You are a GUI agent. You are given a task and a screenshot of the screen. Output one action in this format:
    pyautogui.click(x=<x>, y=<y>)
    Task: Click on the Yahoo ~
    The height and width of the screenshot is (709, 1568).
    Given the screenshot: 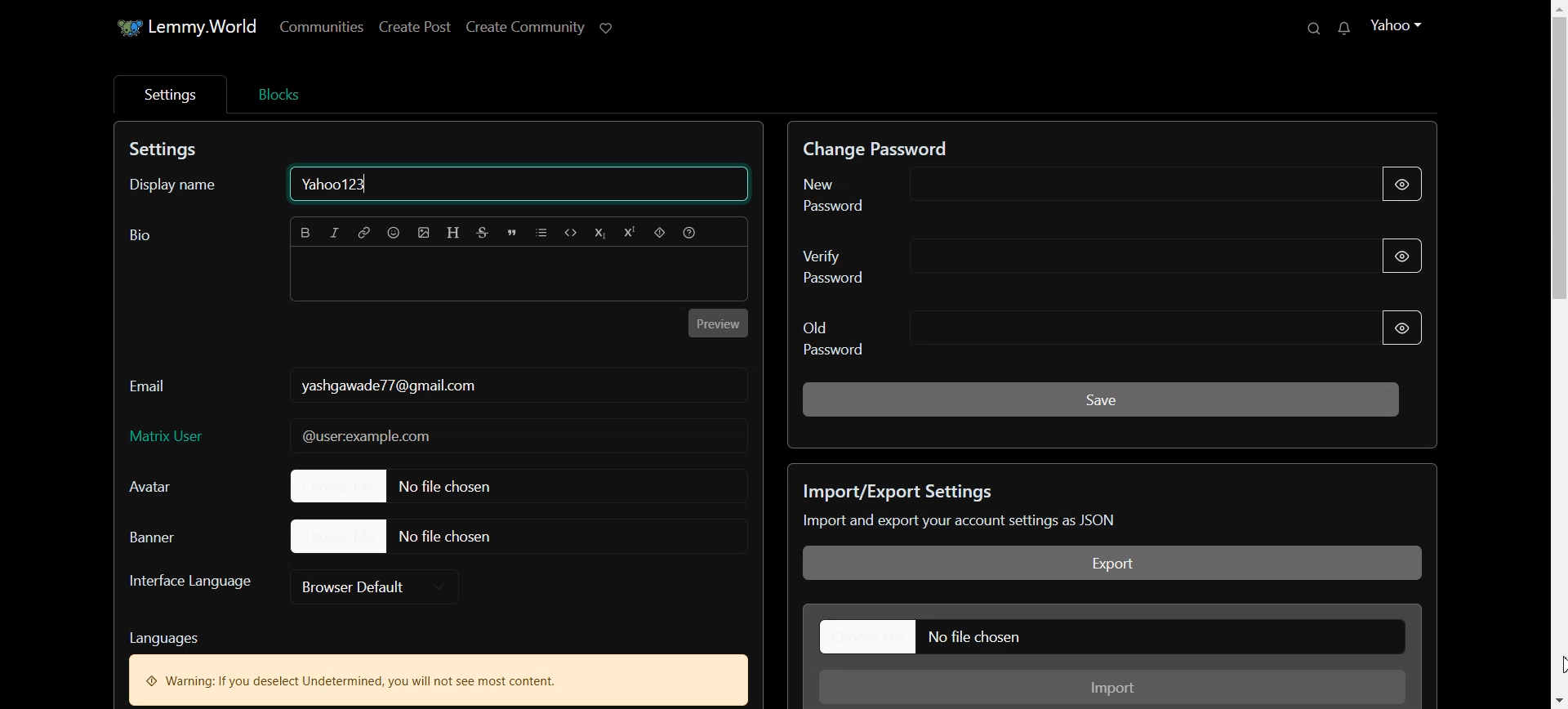 What is the action you would take?
    pyautogui.click(x=1409, y=24)
    